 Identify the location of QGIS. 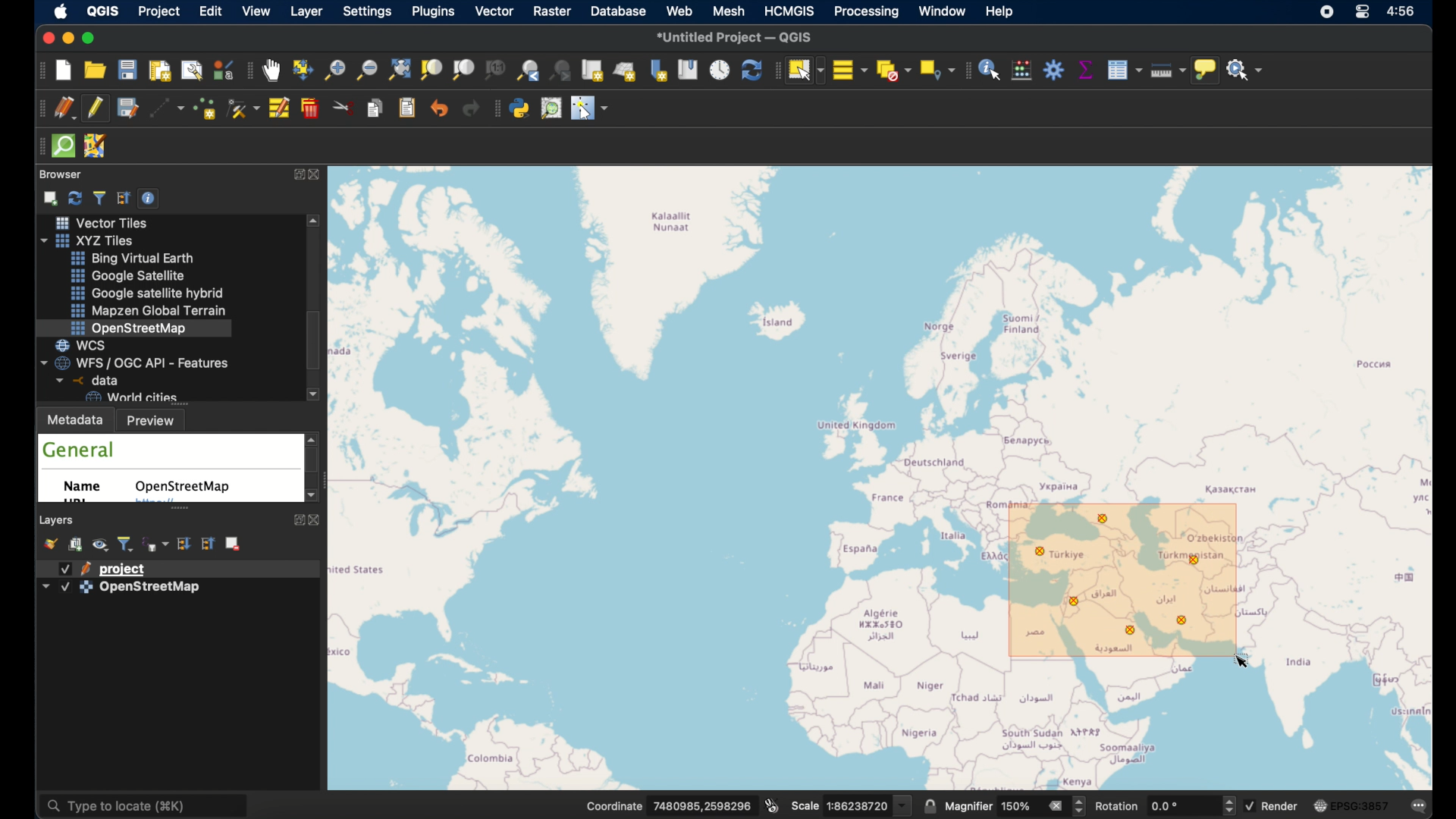
(107, 10).